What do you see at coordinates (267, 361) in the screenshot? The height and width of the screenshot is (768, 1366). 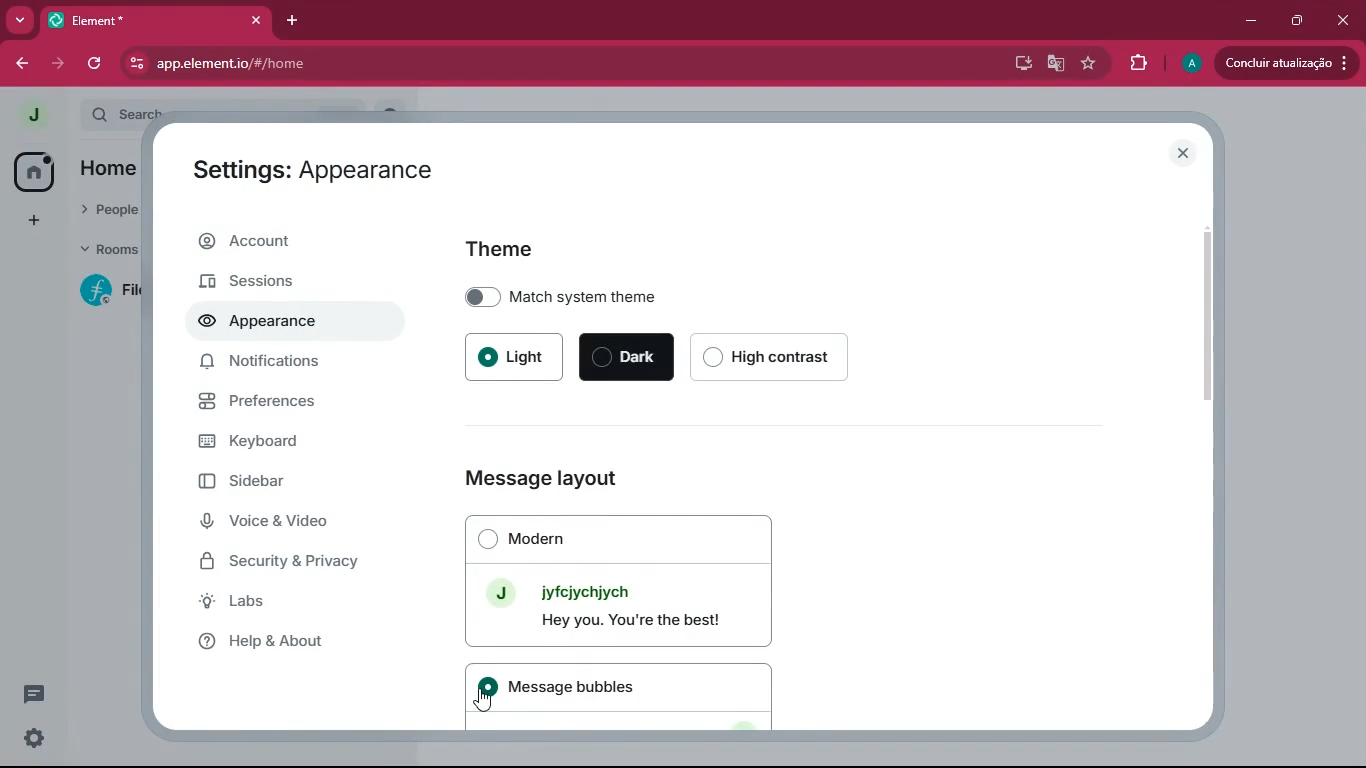 I see `Notifications` at bounding box center [267, 361].